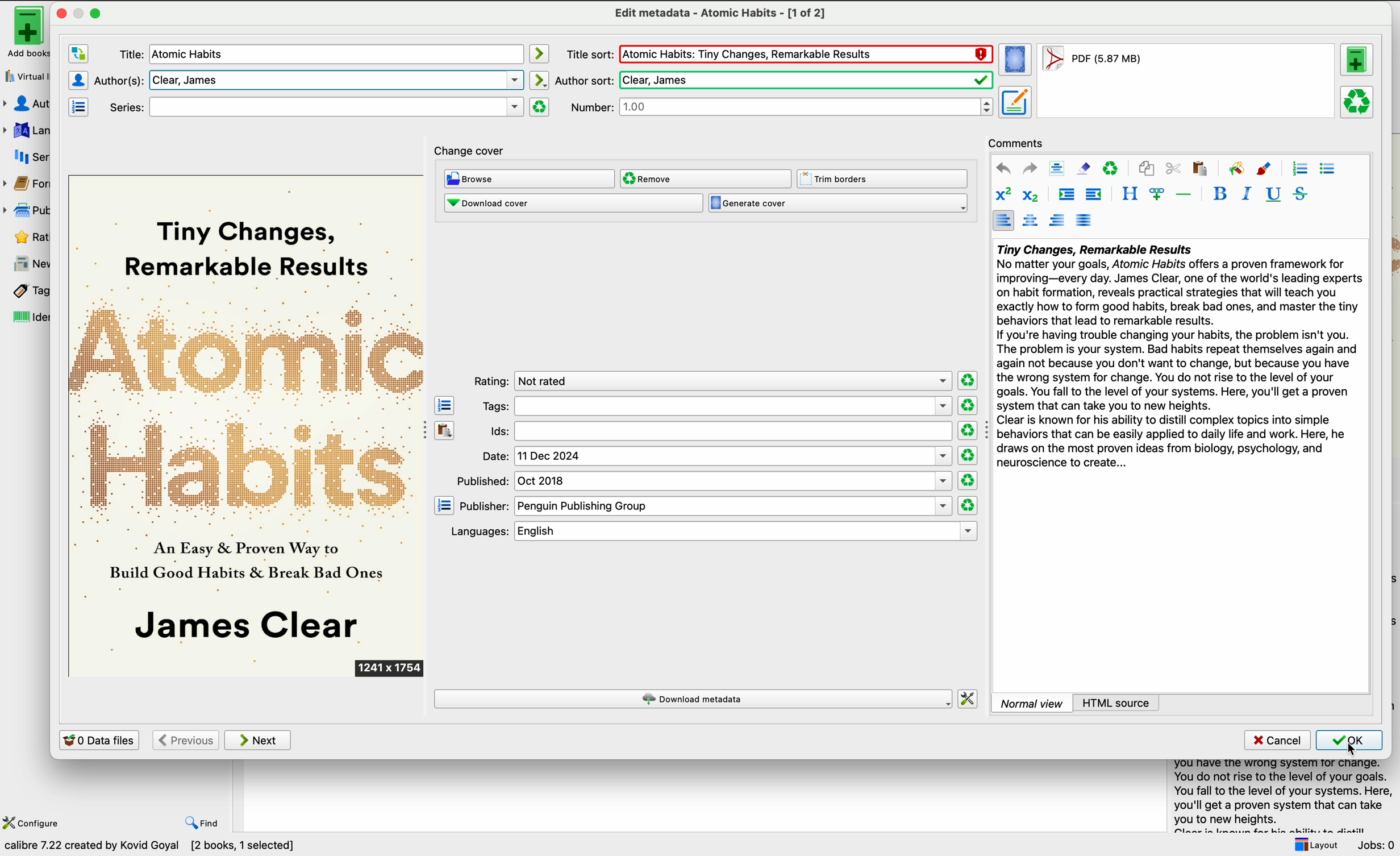 The image size is (1400, 856). I want to click on Cursor, so click(1350, 752).